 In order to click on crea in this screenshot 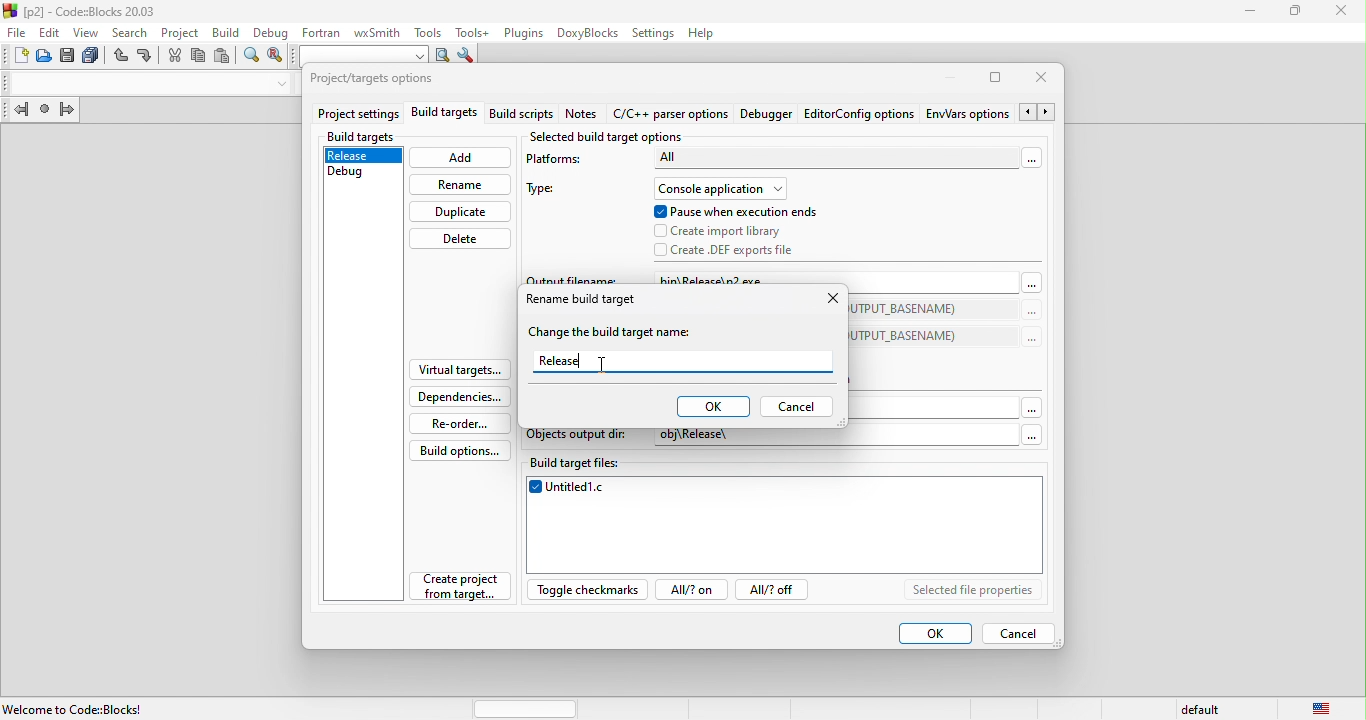, I will do `click(722, 232)`.